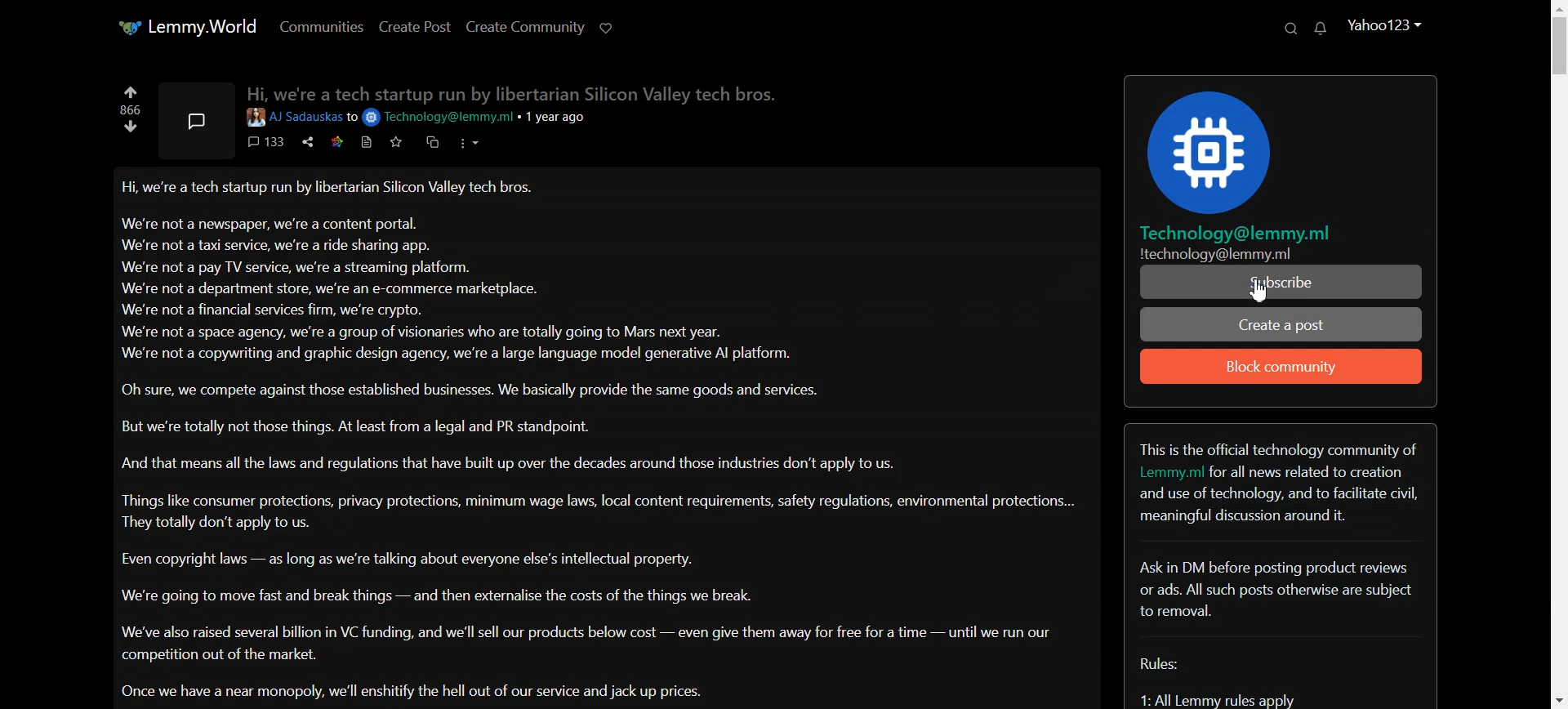 The width and height of the screenshot is (1568, 709). What do you see at coordinates (1282, 324) in the screenshot?
I see `Create Post` at bounding box center [1282, 324].